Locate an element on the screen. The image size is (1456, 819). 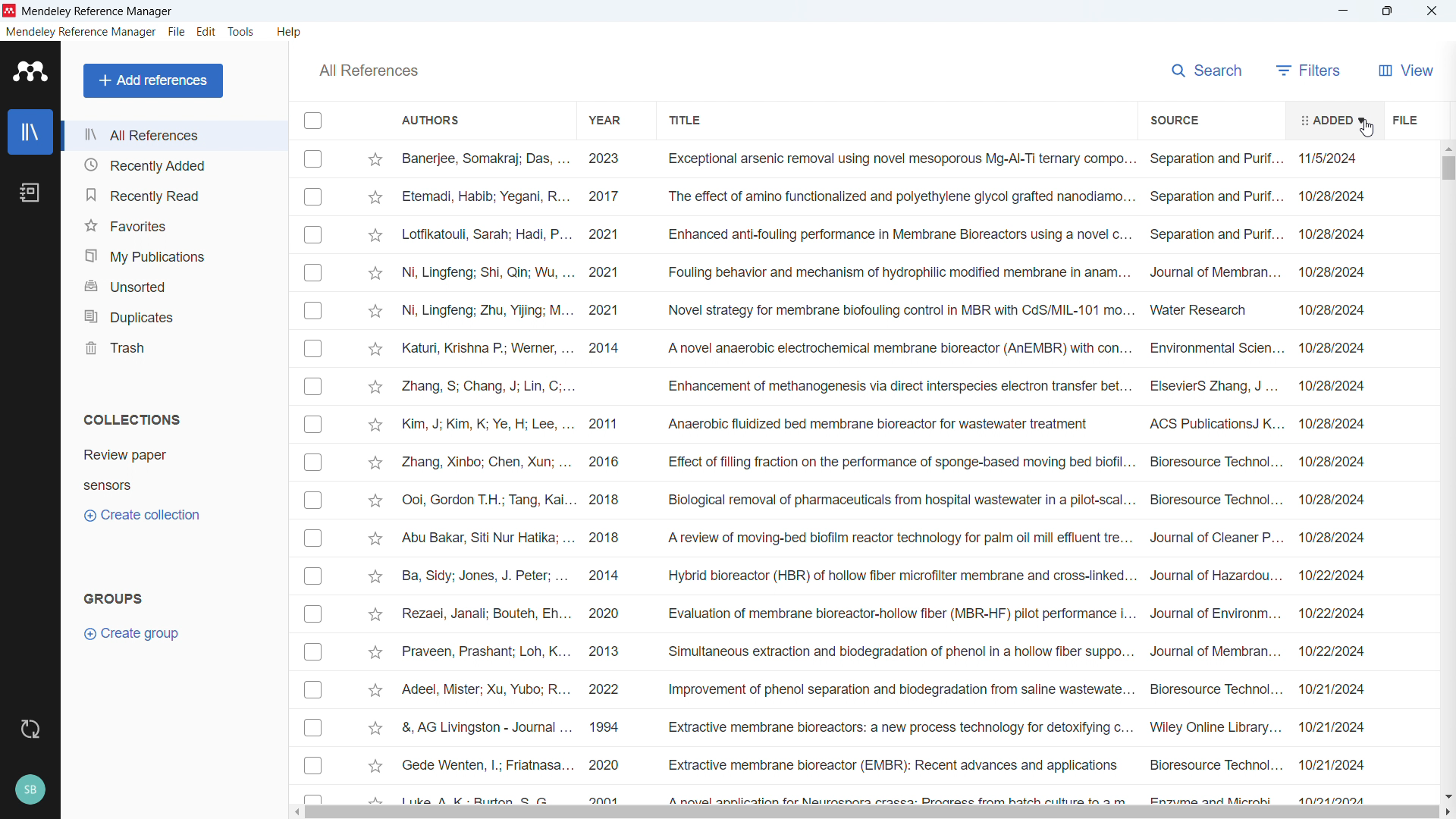
Favourites  is located at coordinates (174, 224).